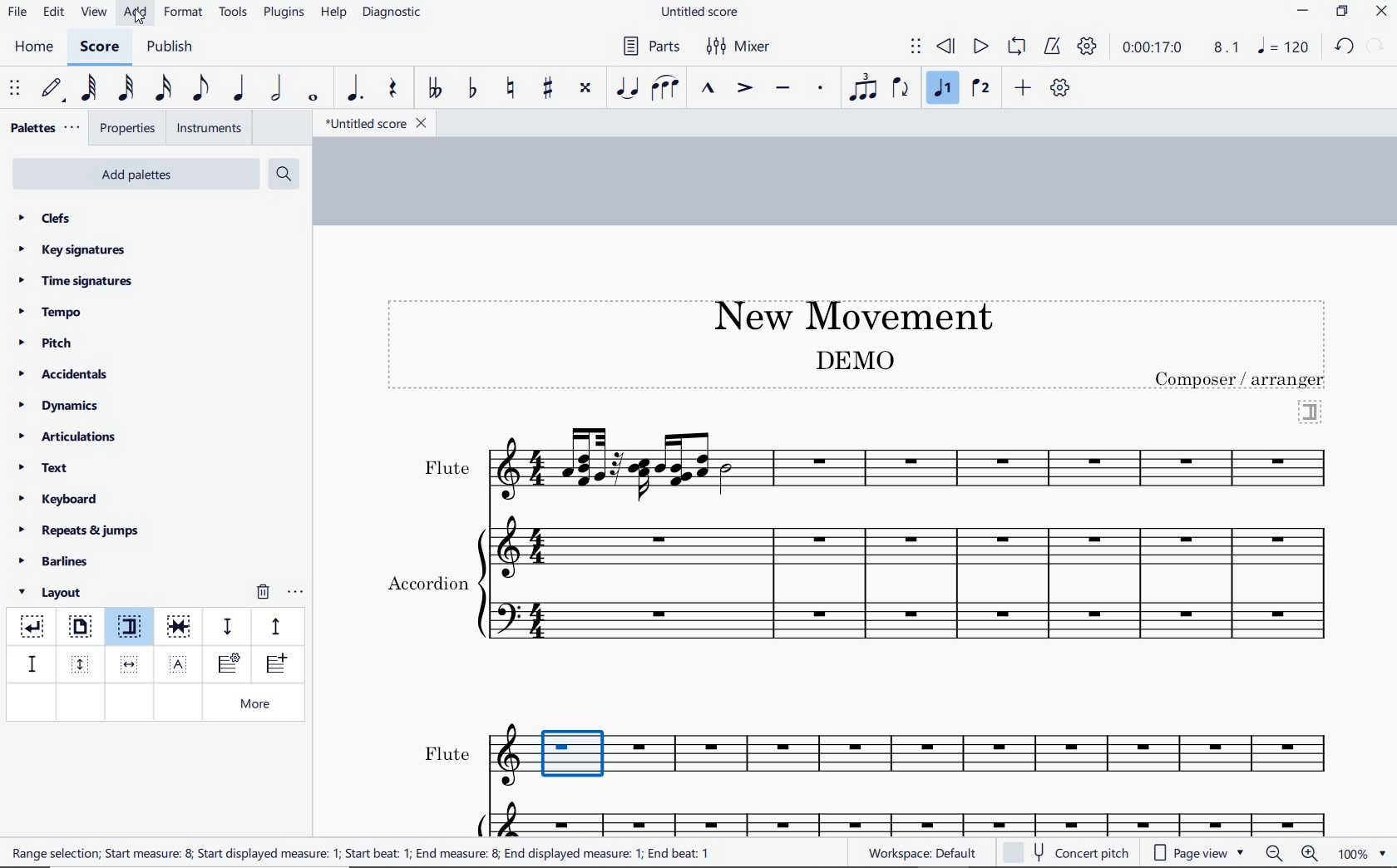 This screenshot has height=868, width=1397. I want to click on repeats & jumps, so click(79, 528).